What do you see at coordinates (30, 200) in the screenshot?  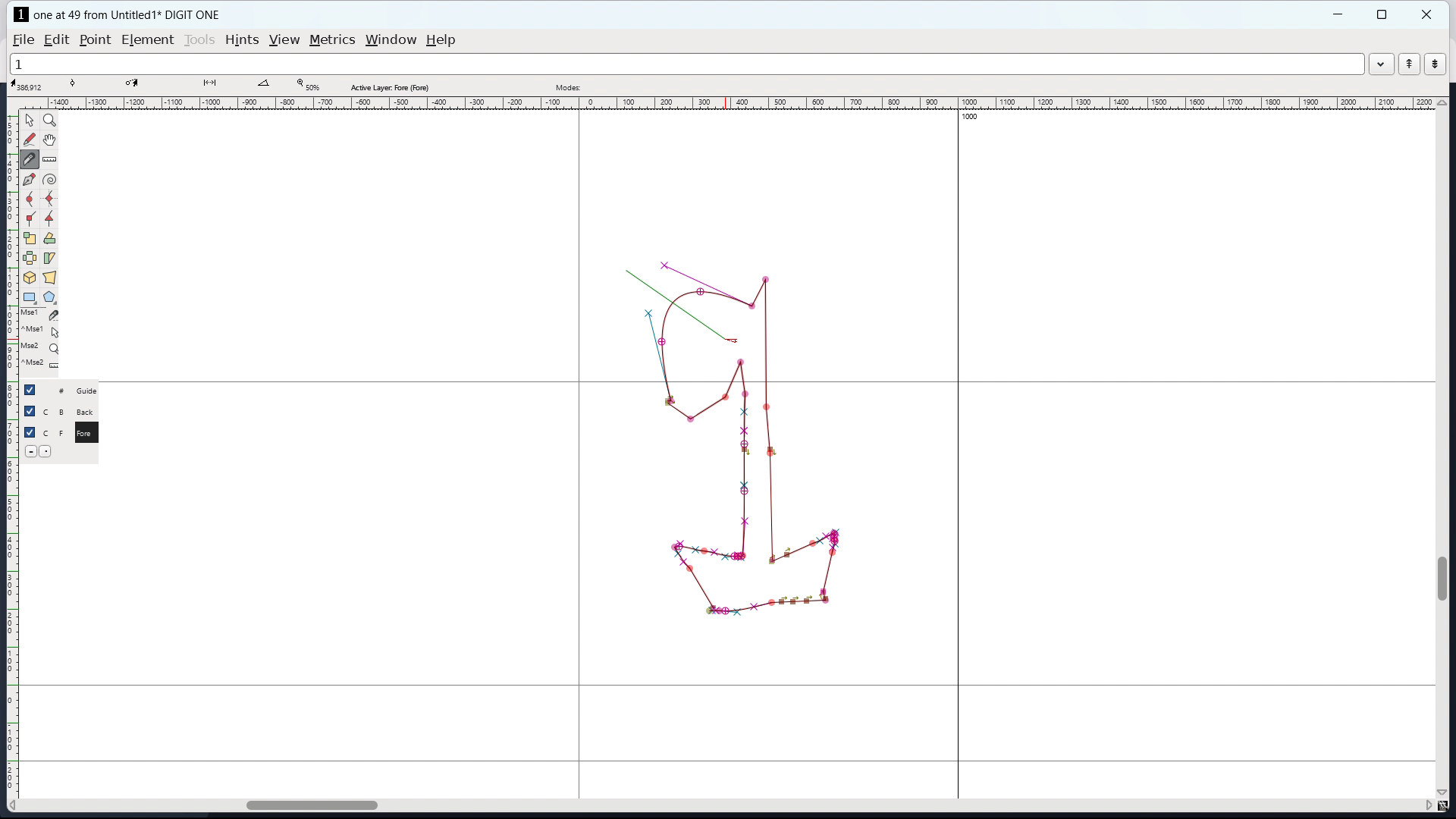 I see `add a curve point` at bounding box center [30, 200].